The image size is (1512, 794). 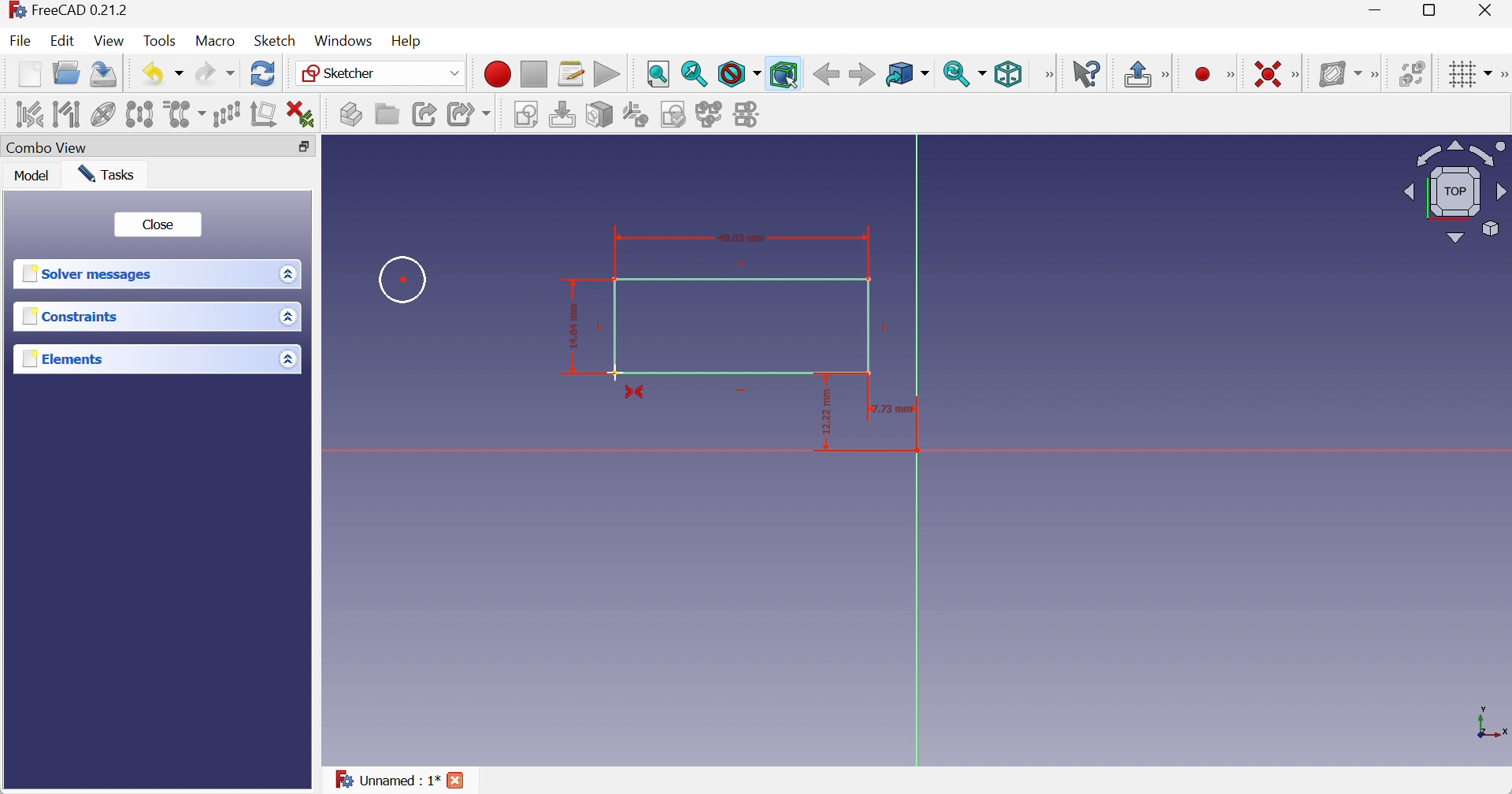 I want to click on Drop down, so click(x=287, y=361).